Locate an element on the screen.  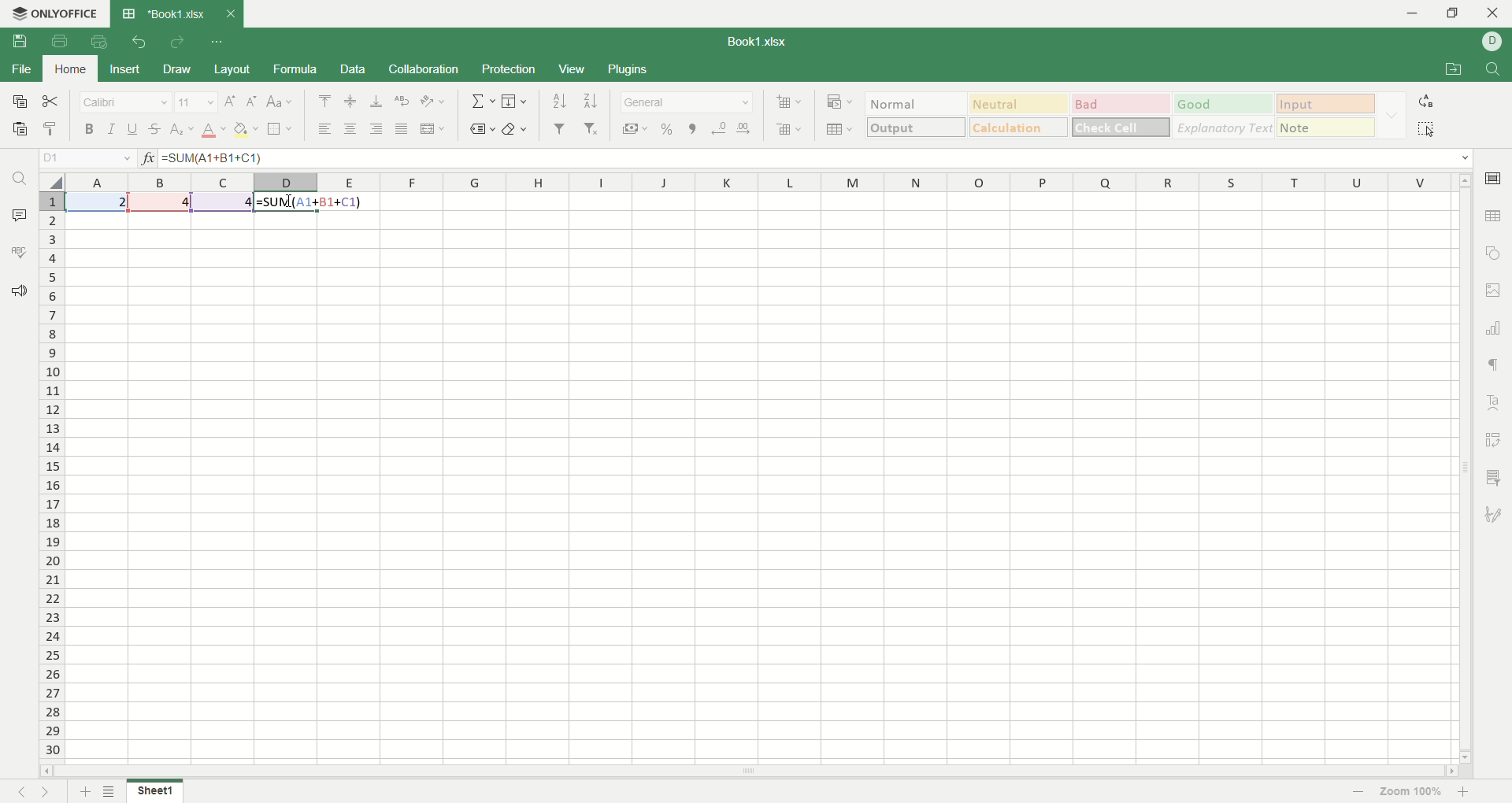
rows is located at coordinates (46, 479).